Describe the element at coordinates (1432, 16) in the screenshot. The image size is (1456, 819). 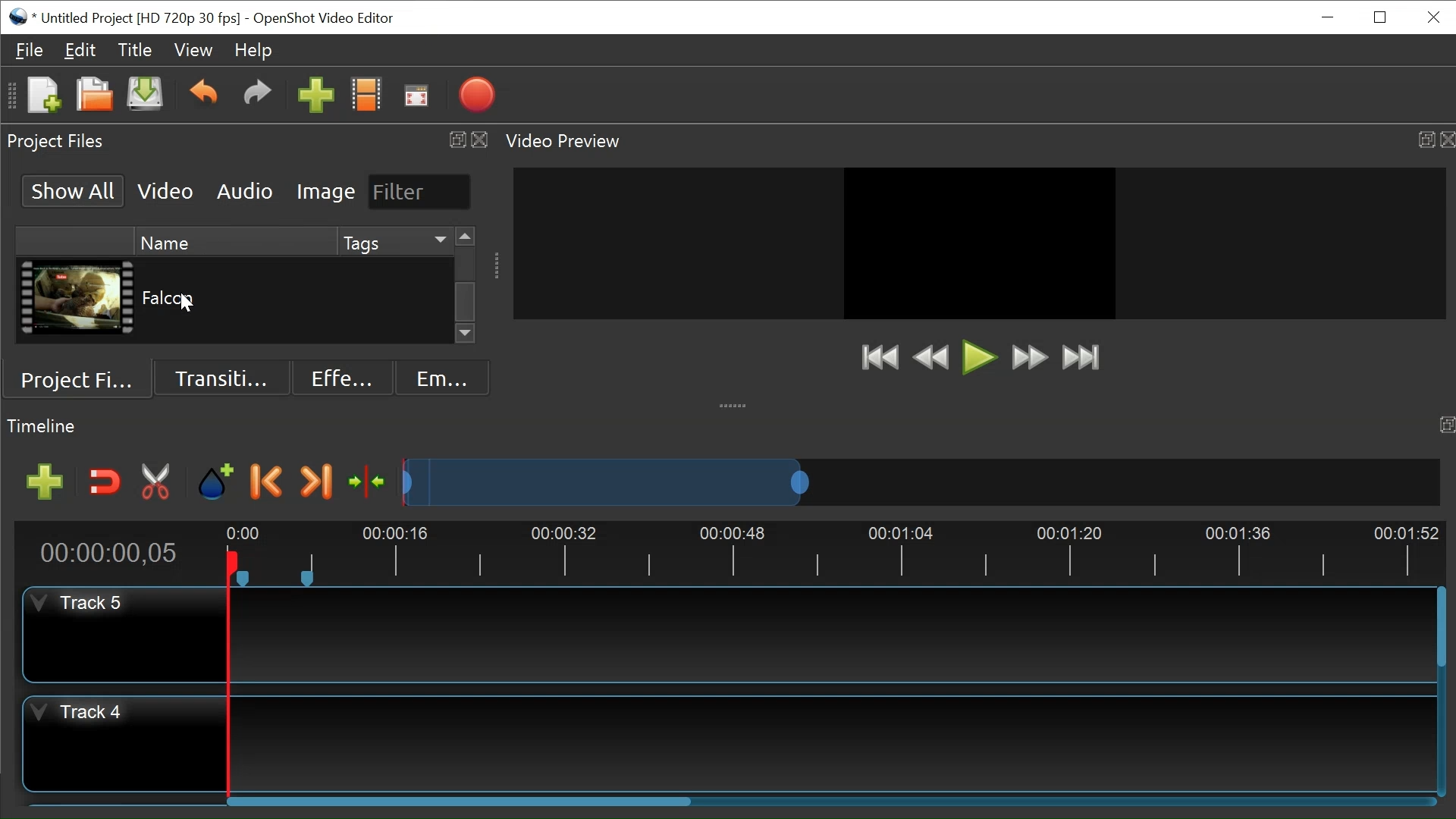
I see `Close` at that location.